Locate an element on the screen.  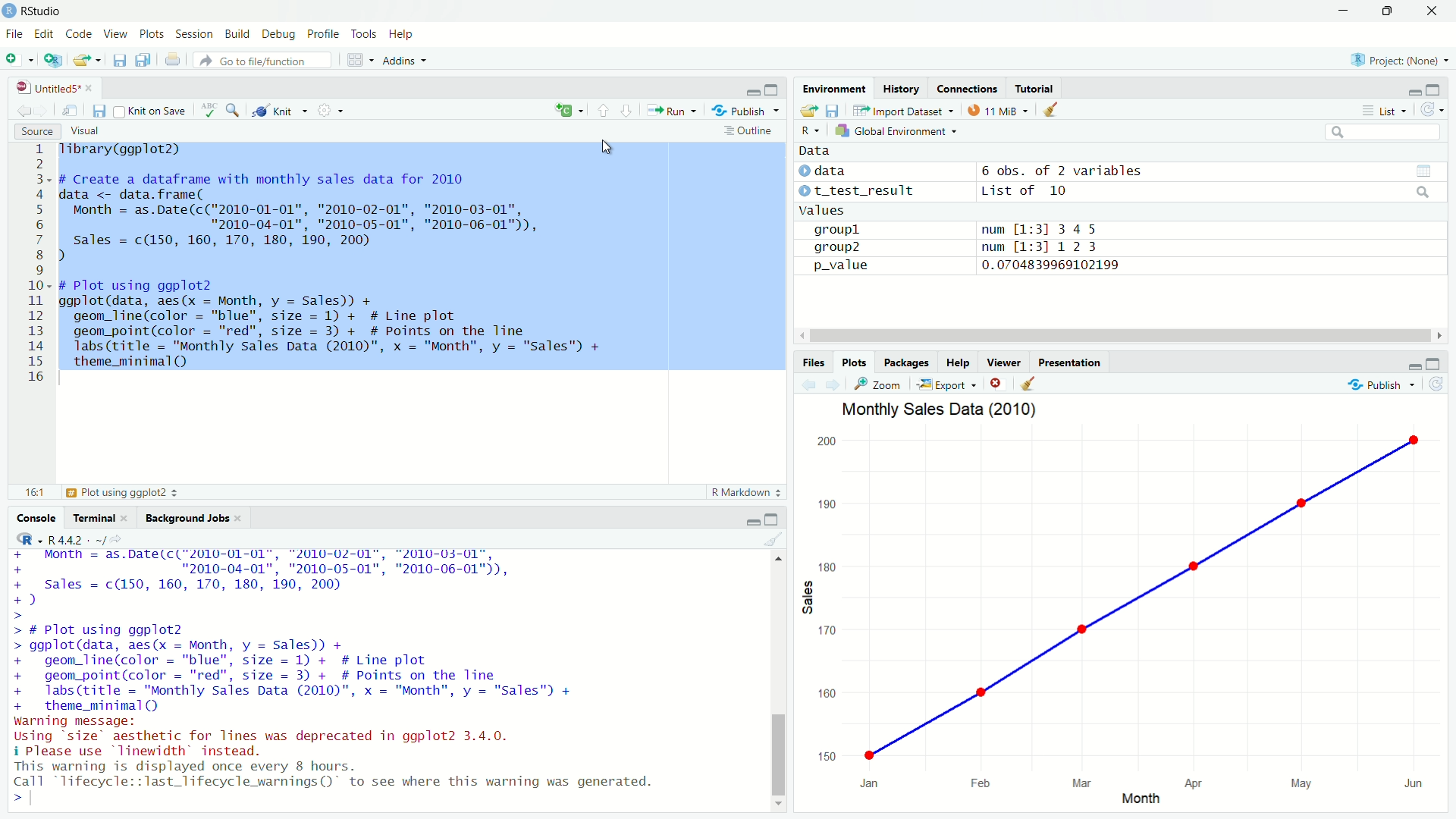
Help is located at coordinates (406, 34).